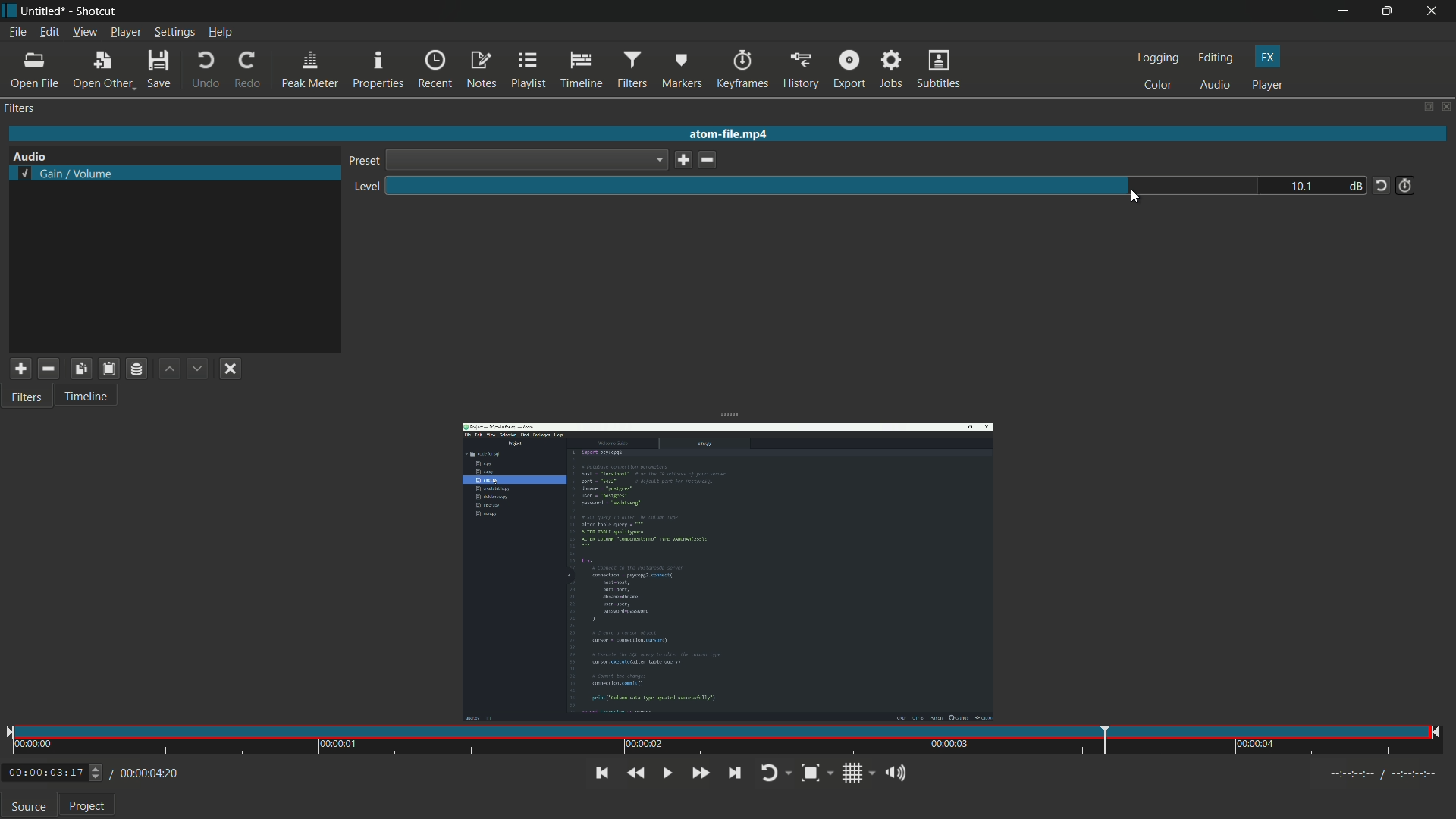  What do you see at coordinates (823, 184) in the screenshot?
I see `level adjustment bar` at bounding box center [823, 184].